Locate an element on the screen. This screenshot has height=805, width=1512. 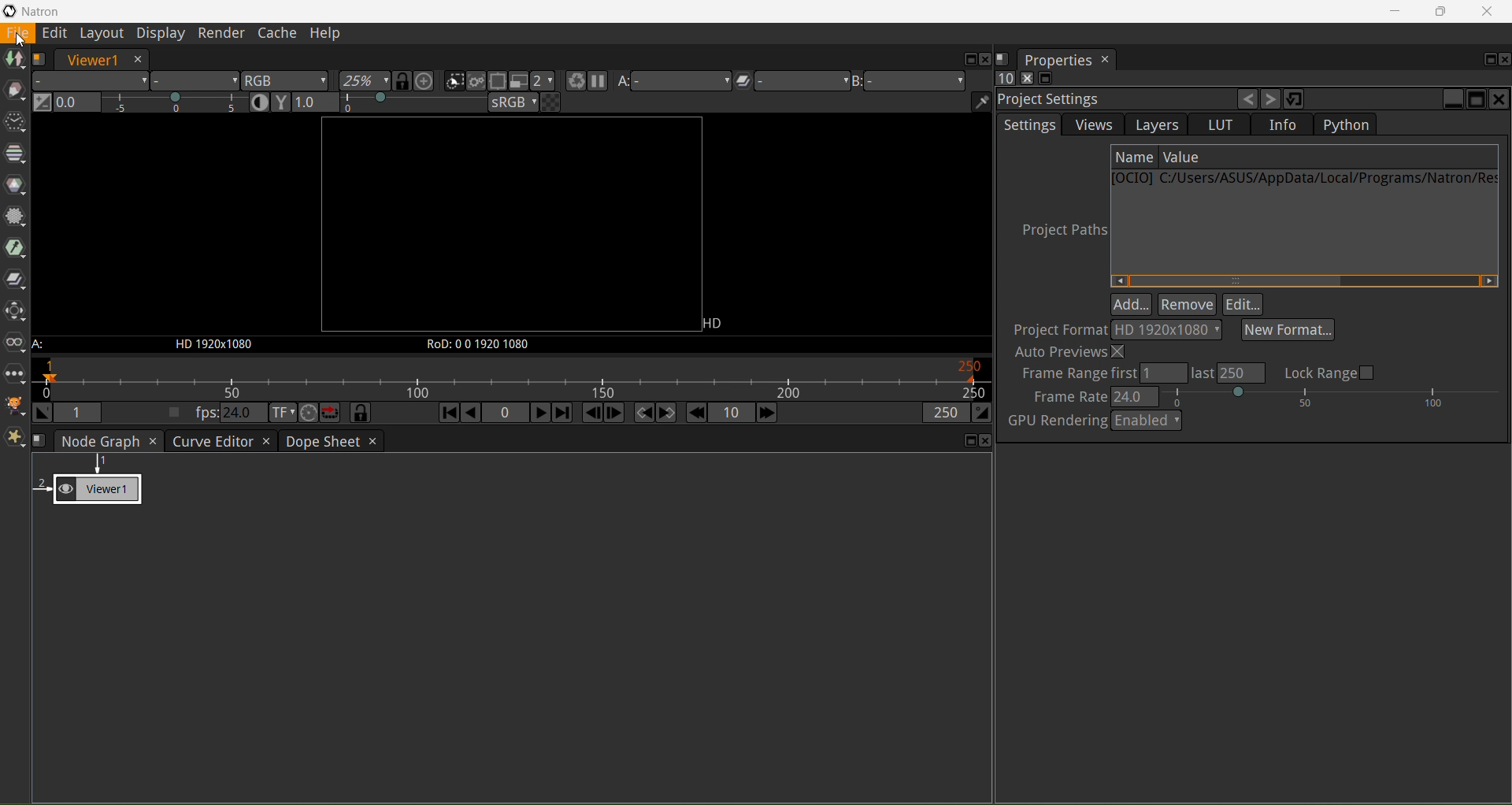
Turbo mode is located at coordinates (308, 414).